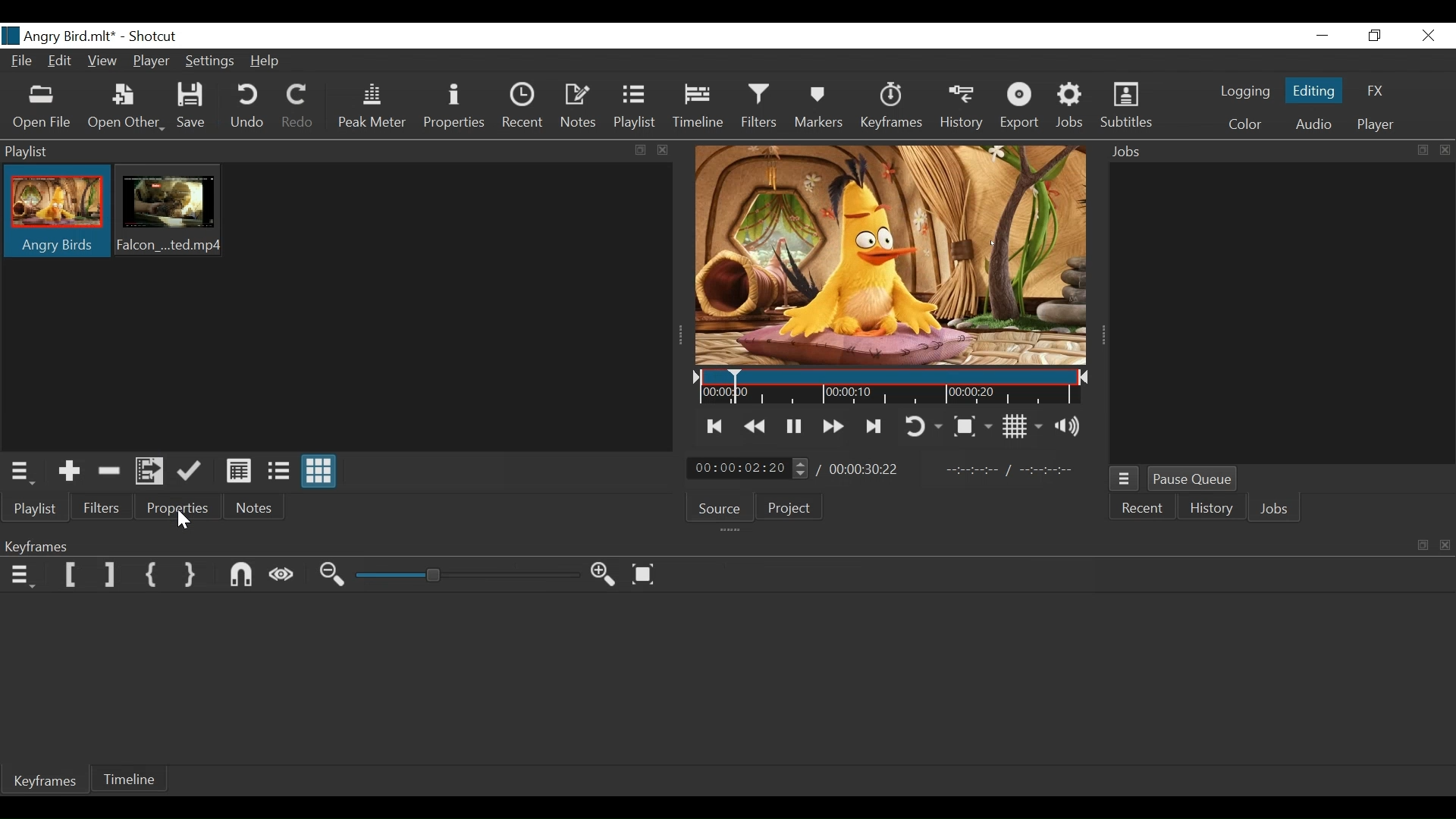 This screenshot has width=1456, height=819. I want to click on Notes, so click(251, 507).